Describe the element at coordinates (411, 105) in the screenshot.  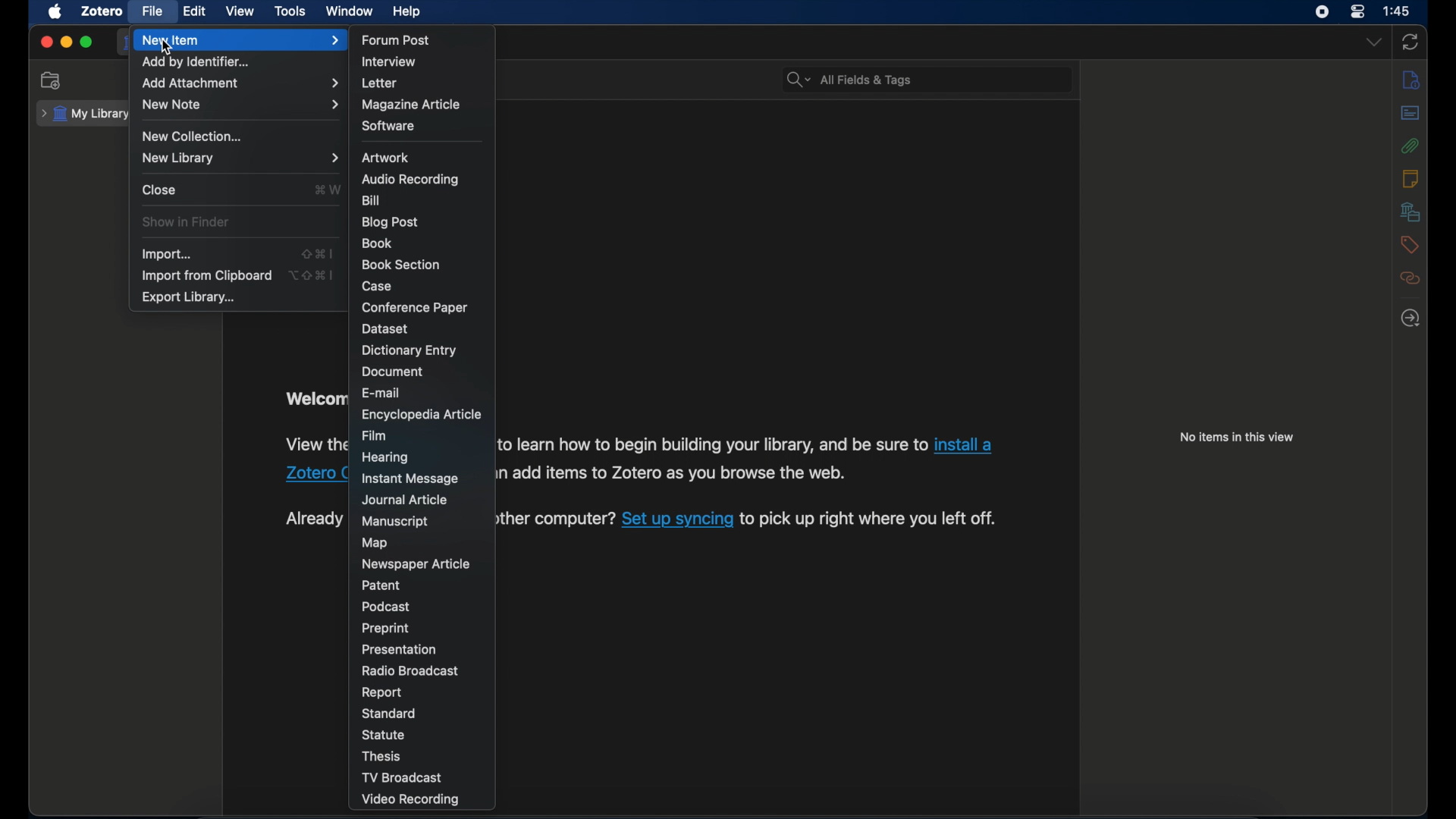
I see `magazine article` at that location.